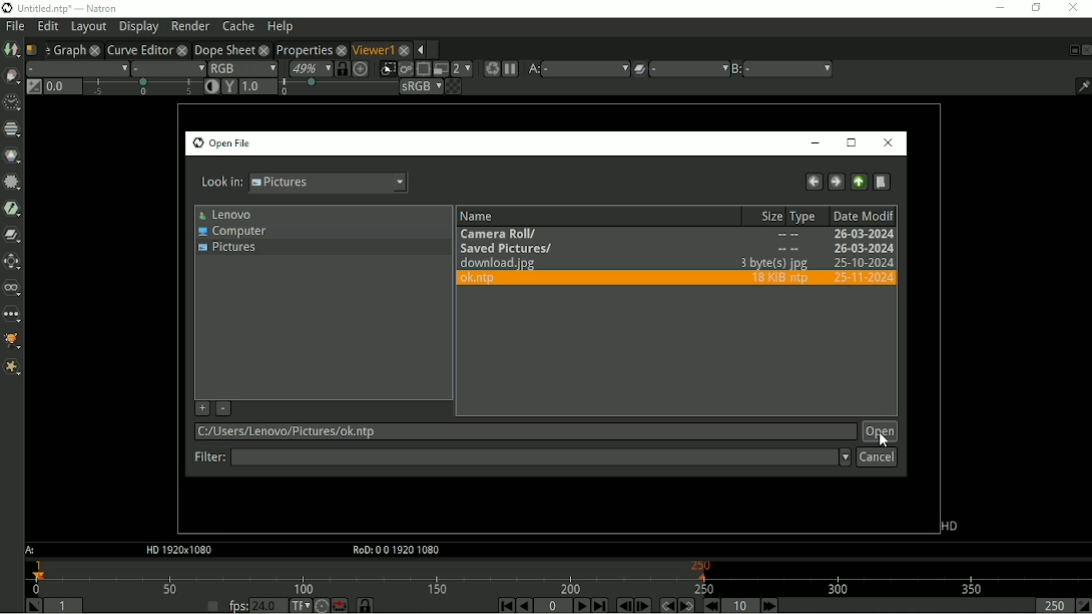 The image size is (1092, 614). What do you see at coordinates (554, 606) in the screenshot?
I see `Current frame` at bounding box center [554, 606].